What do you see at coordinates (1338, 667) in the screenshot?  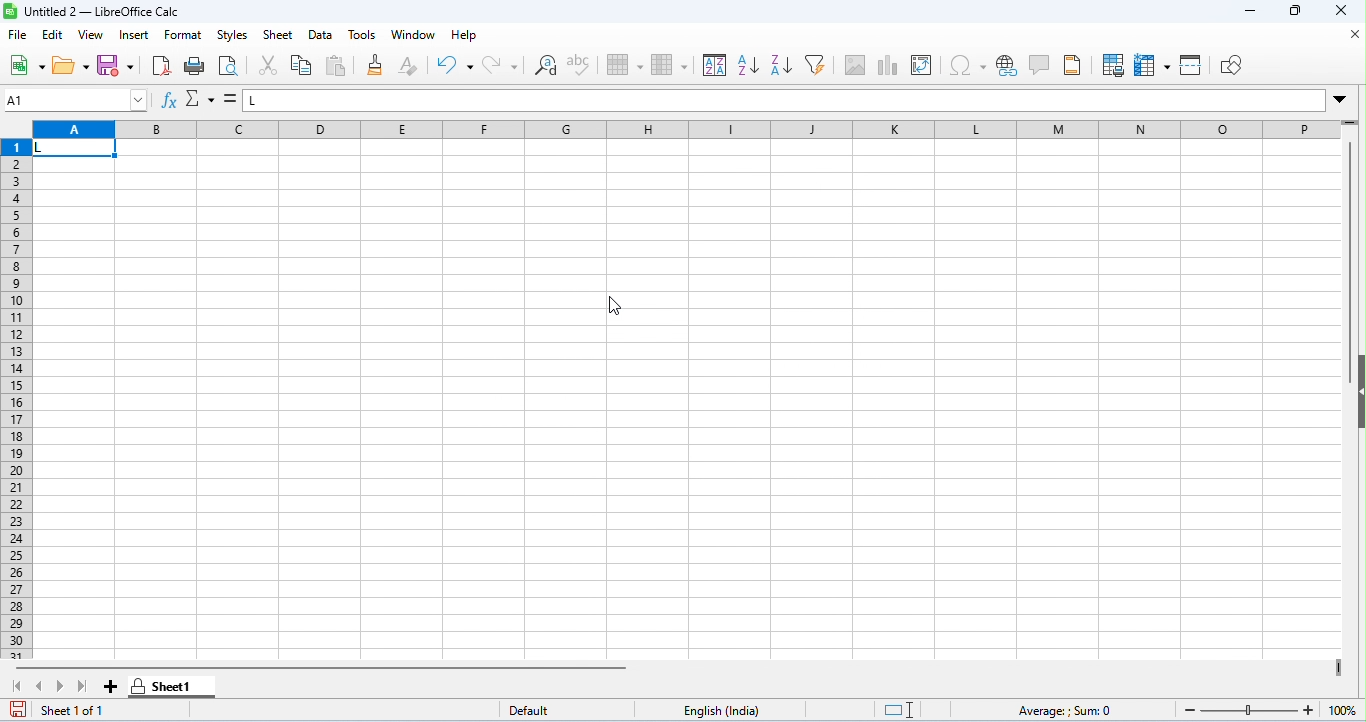 I see `drag to view next columns` at bounding box center [1338, 667].